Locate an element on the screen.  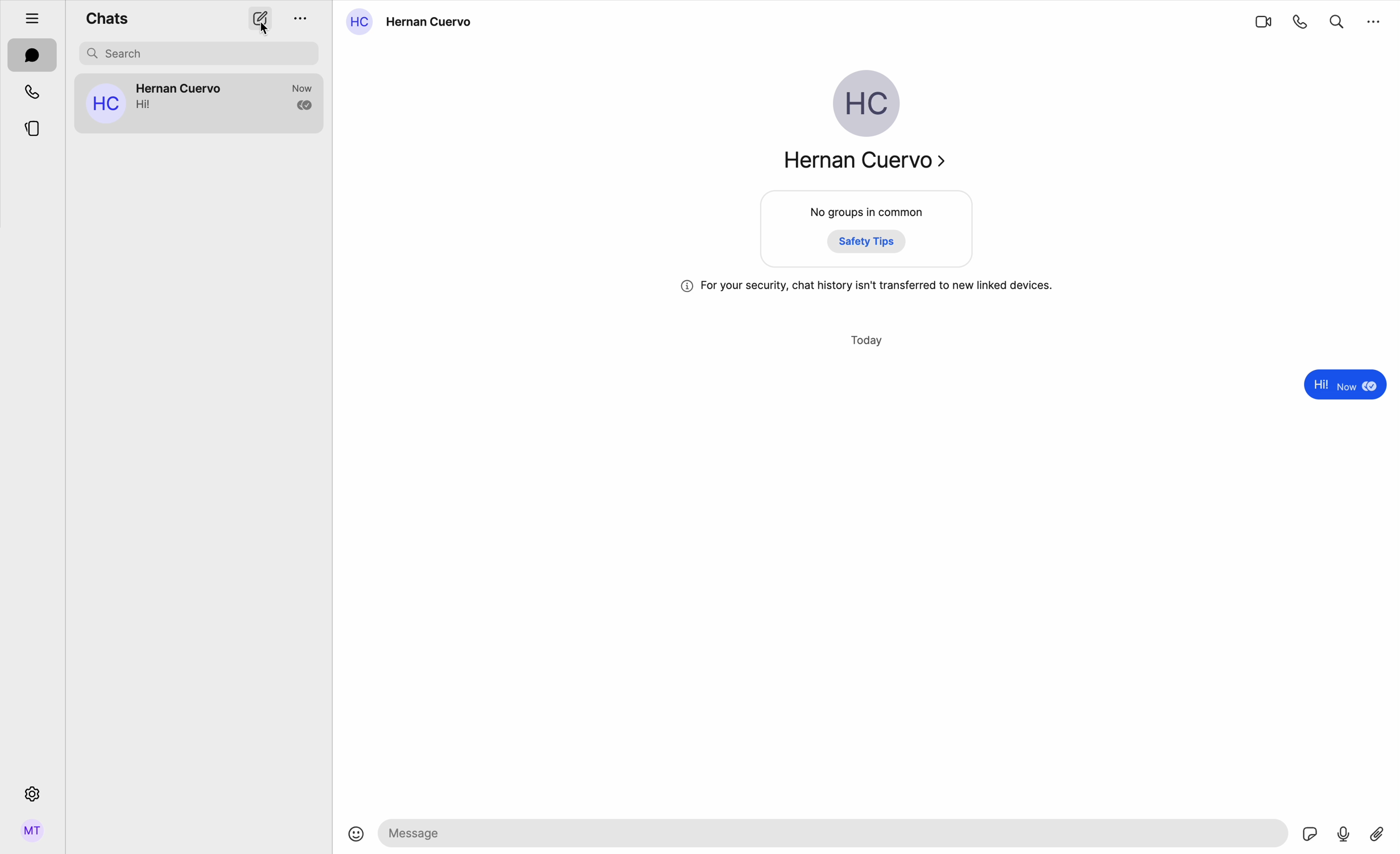
calls is located at coordinates (34, 91).